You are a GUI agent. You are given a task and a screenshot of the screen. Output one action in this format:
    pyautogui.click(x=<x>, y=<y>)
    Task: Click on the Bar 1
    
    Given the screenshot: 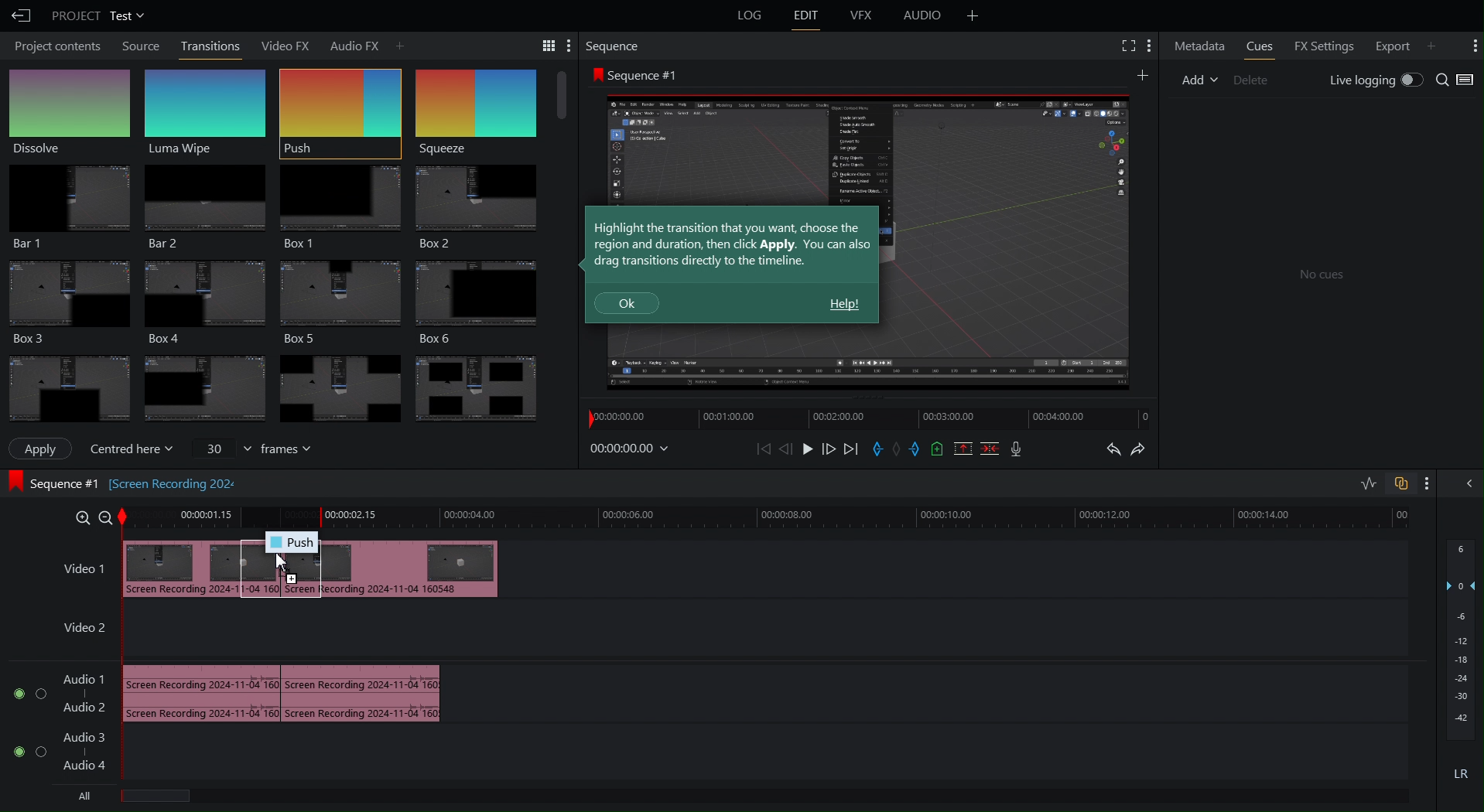 What is the action you would take?
    pyautogui.click(x=64, y=209)
    